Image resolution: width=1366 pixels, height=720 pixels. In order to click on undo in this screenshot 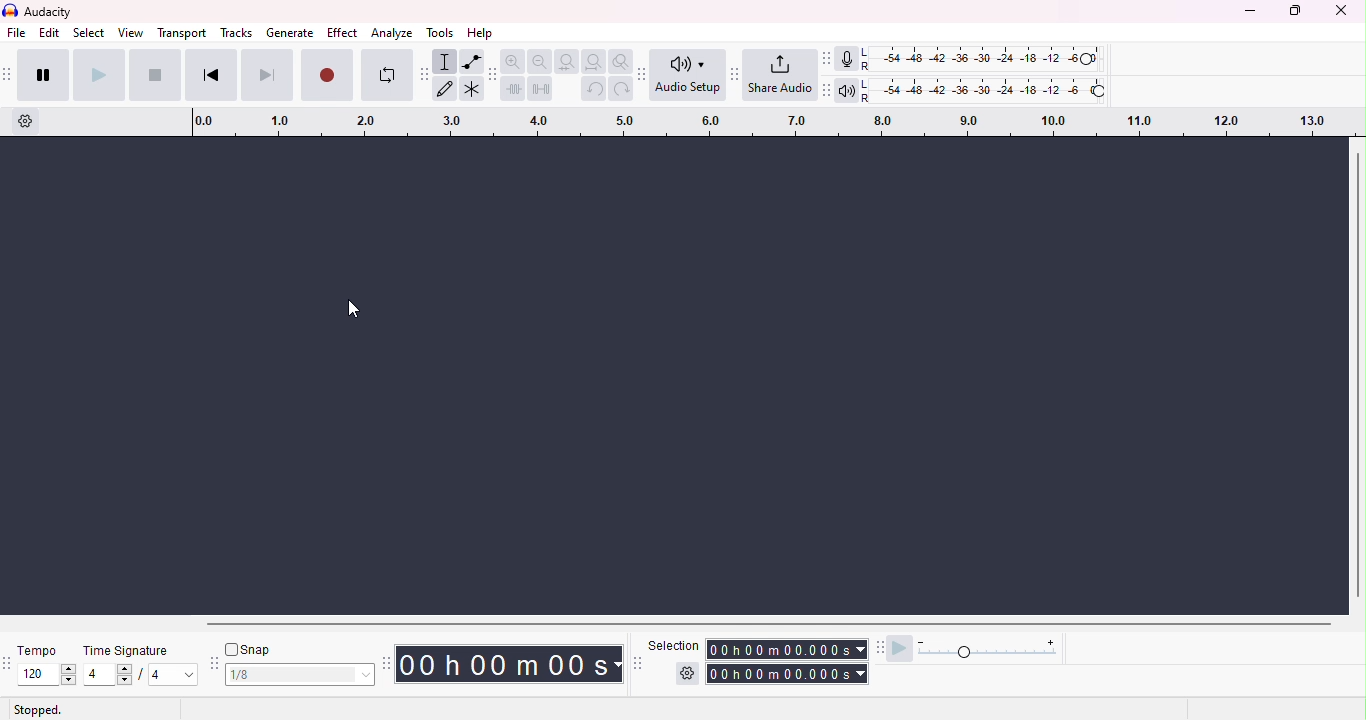, I will do `click(593, 89)`.